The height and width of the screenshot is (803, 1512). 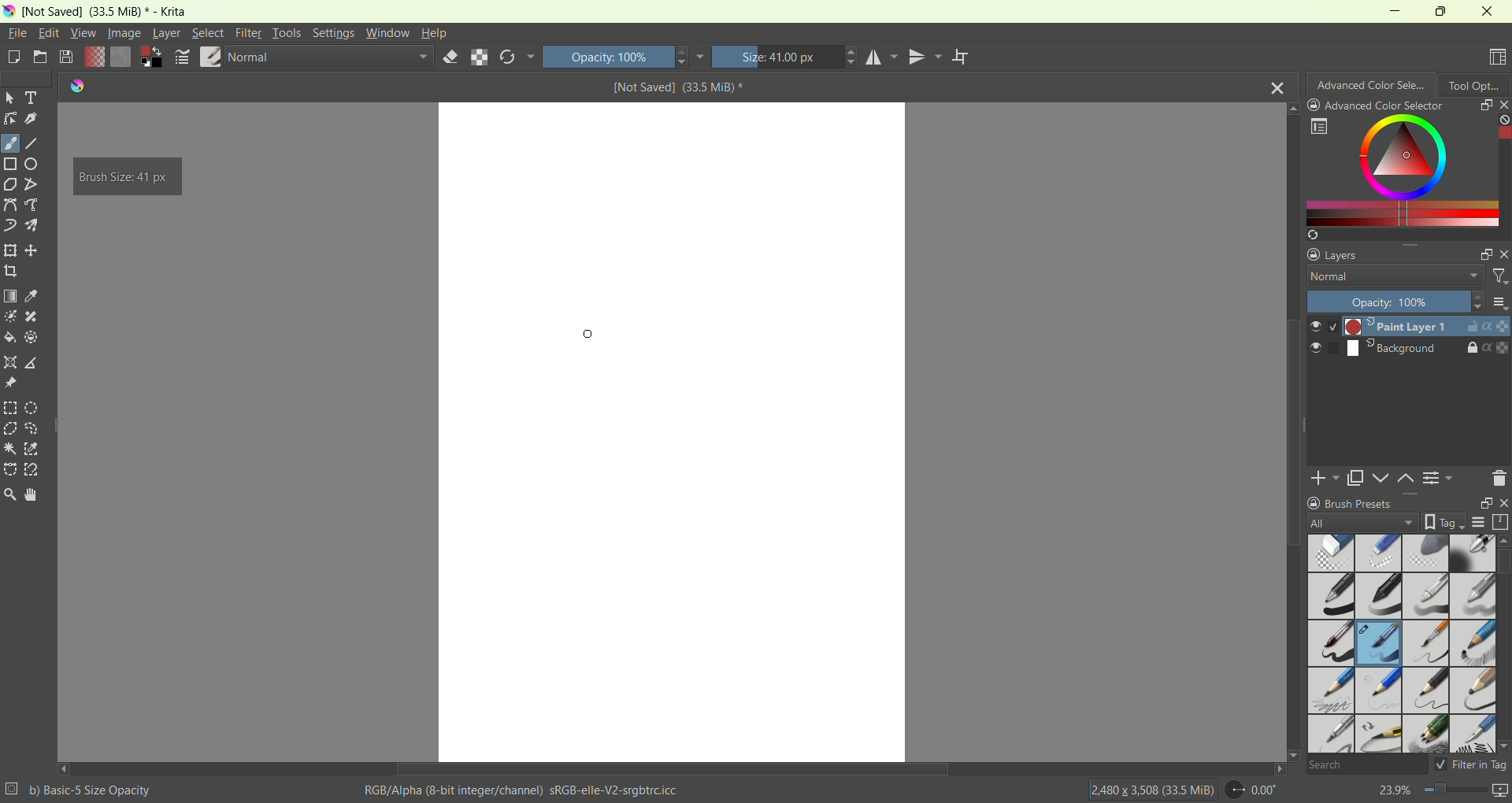 I want to click on RGB/Alpha (8-bit integer/channel) sRGB-elle-V2-srgbtrc.icc, so click(x=524, y=790).